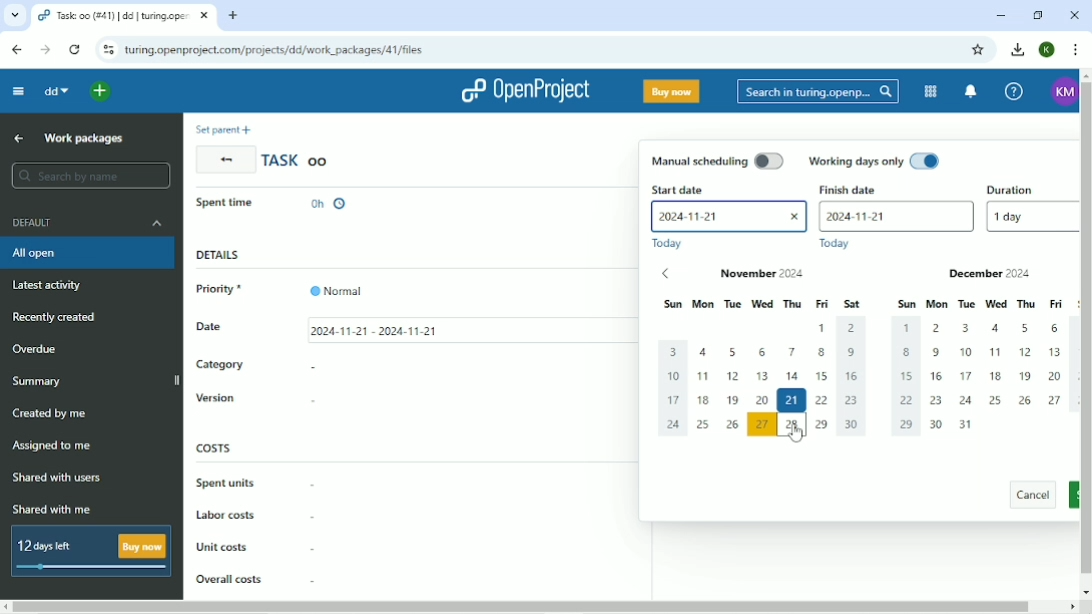  What do you see at coordinates (91, 176) in the screenshot?
I see `Search by name` at bounding box center [91, 176].